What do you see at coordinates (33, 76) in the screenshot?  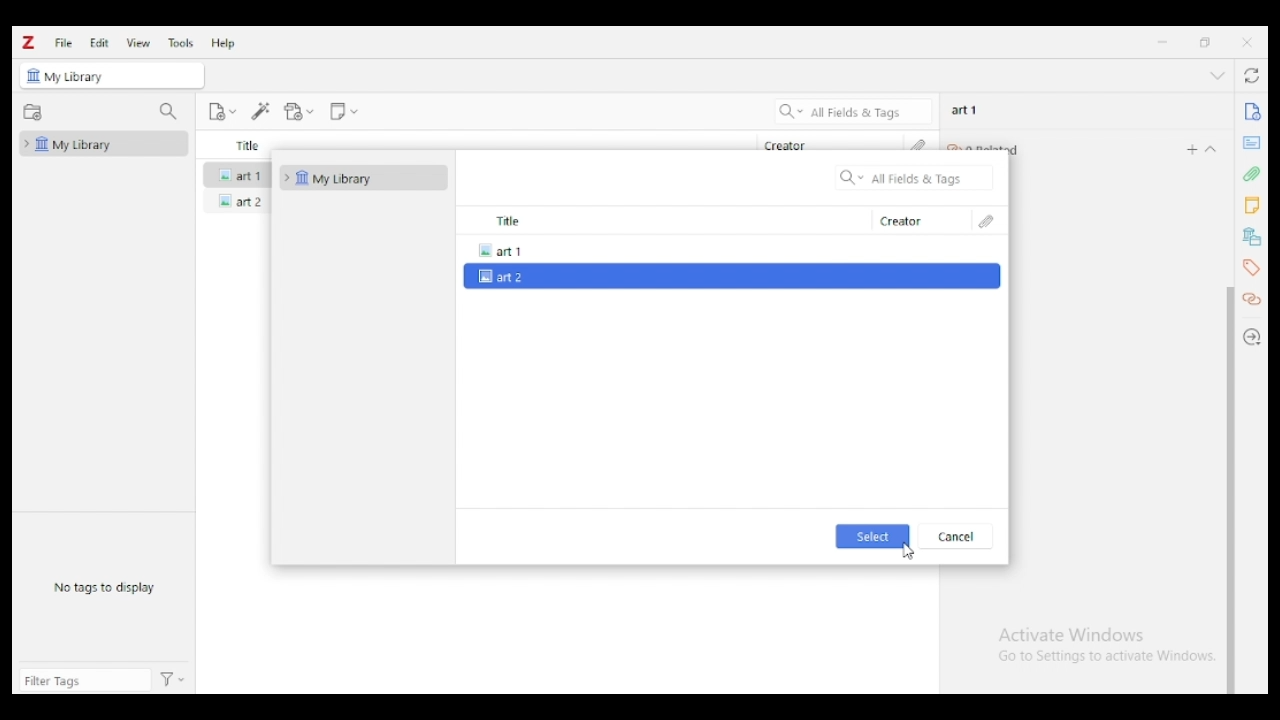 I see `icon` at bounding box center [33, 76].